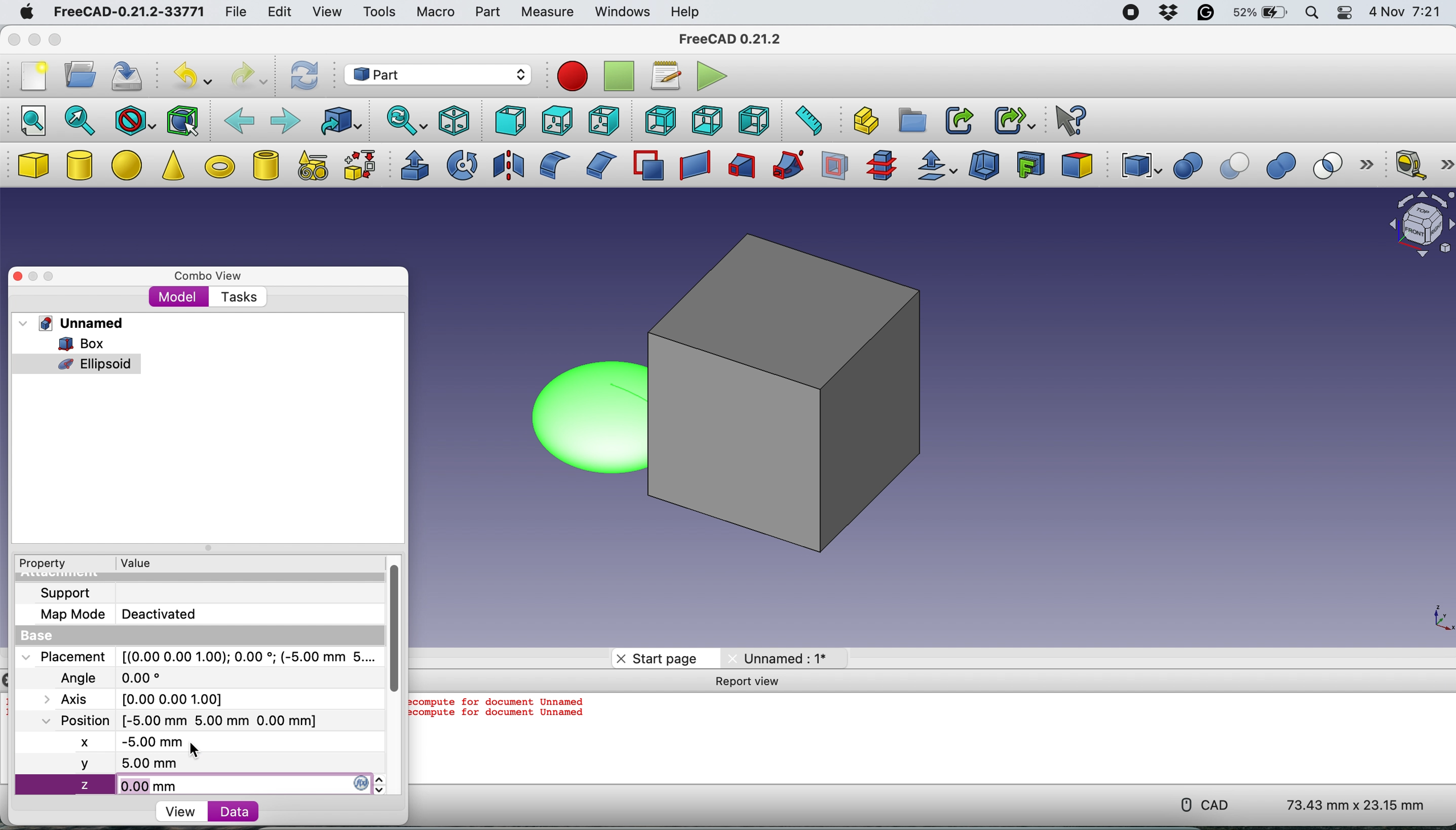  What do you see at coordinates (581, 415) in the screenshot?
I see `ellipsoid` at bounding box center [581, 415].